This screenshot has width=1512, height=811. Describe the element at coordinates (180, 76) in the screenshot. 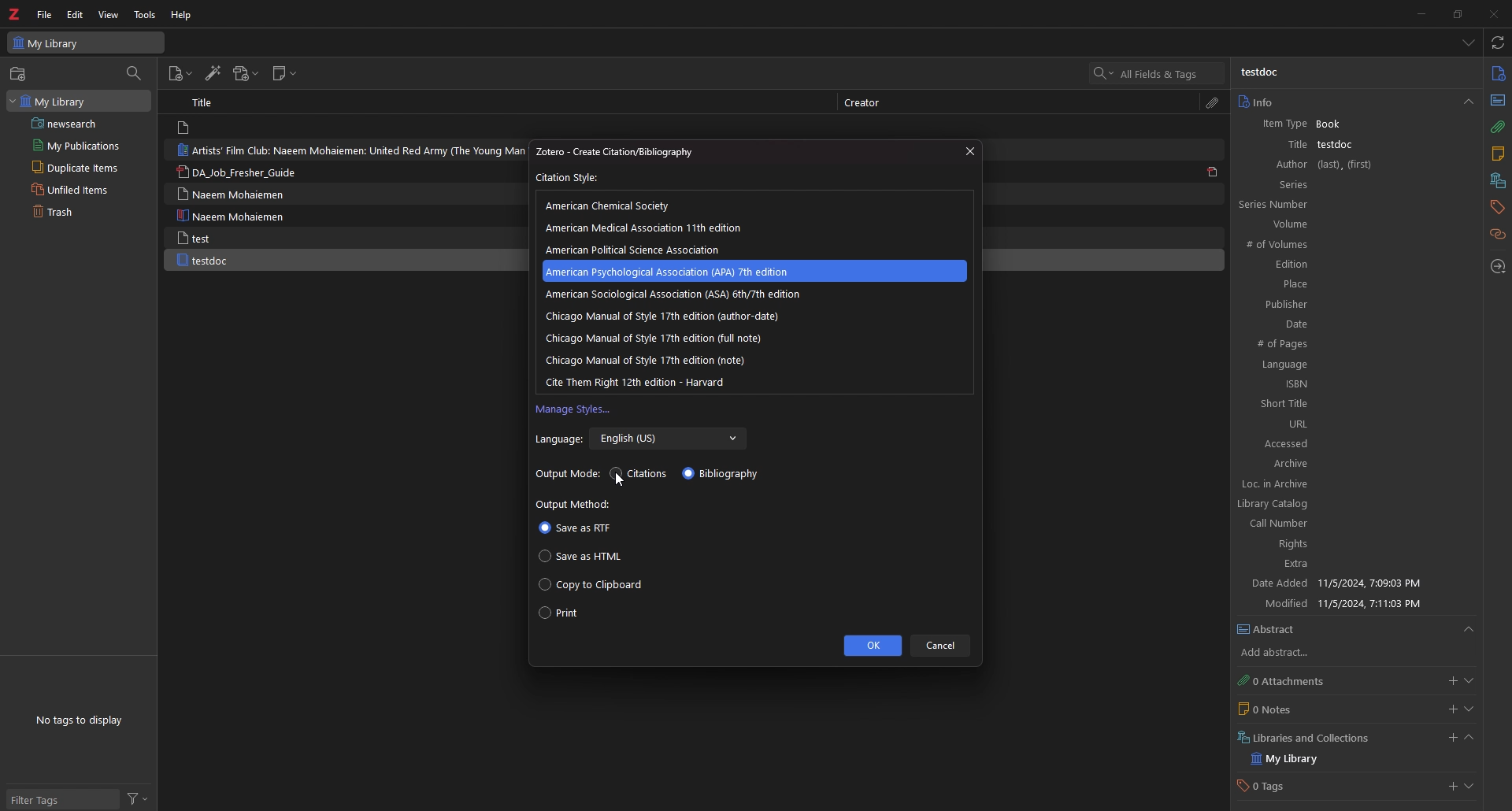

I see `new item` at that location.